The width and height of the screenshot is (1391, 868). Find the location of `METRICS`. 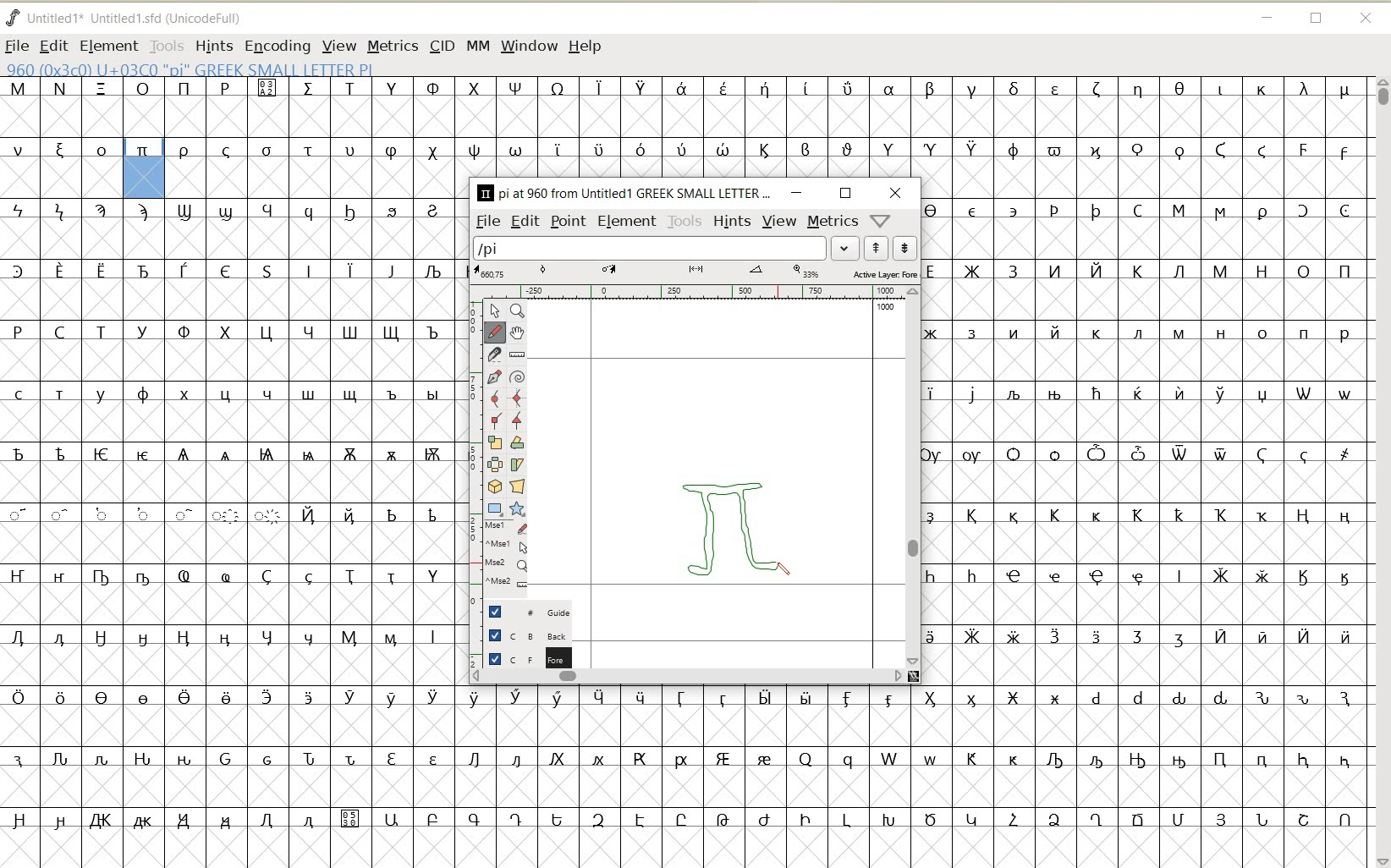

METRICS is located at coordinates (393, 45).